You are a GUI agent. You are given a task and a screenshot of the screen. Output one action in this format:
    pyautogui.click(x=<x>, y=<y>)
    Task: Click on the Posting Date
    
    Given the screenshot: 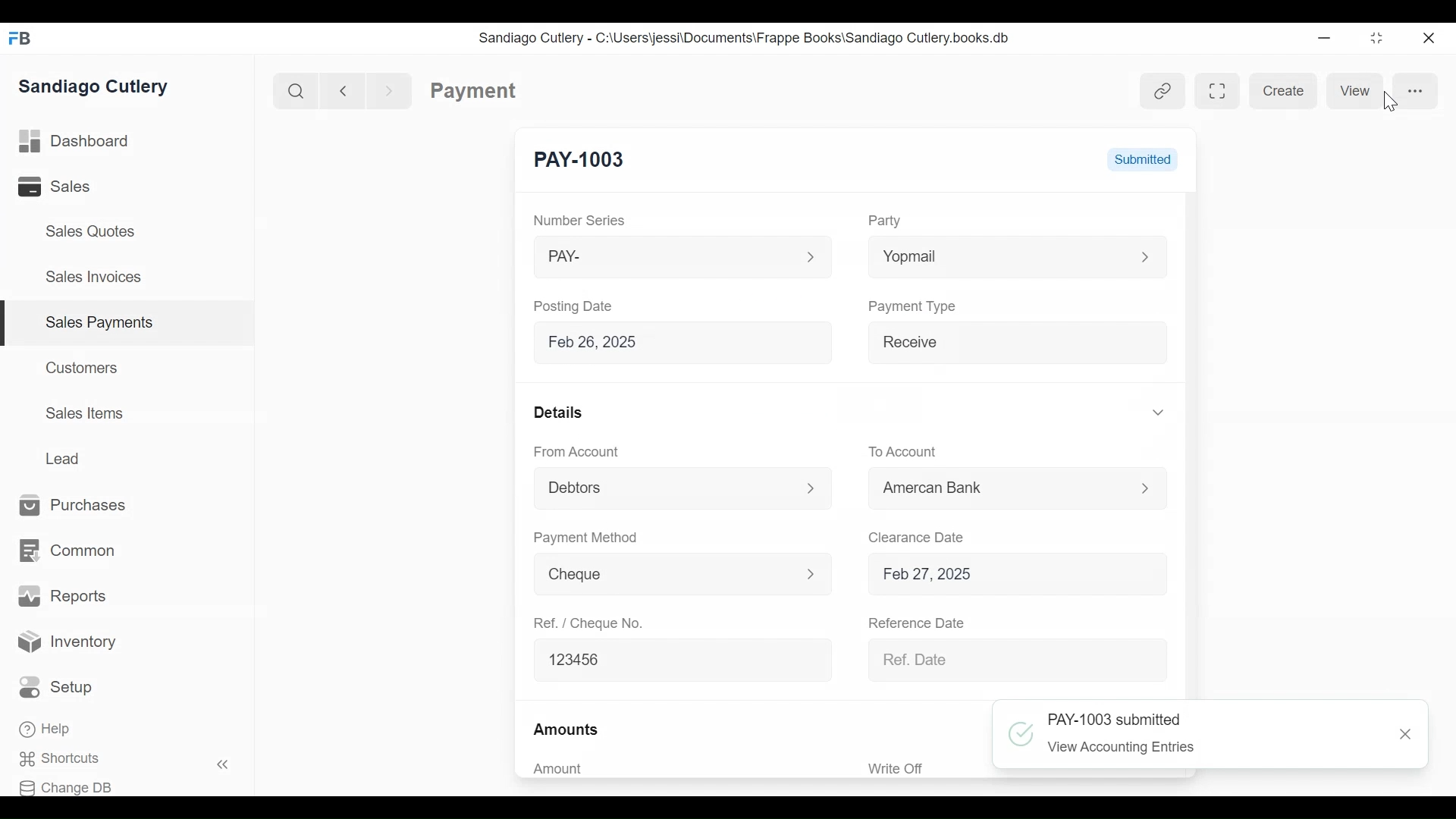 What is the action you would take?
    pyautogui.click(x=575, y=306)
    